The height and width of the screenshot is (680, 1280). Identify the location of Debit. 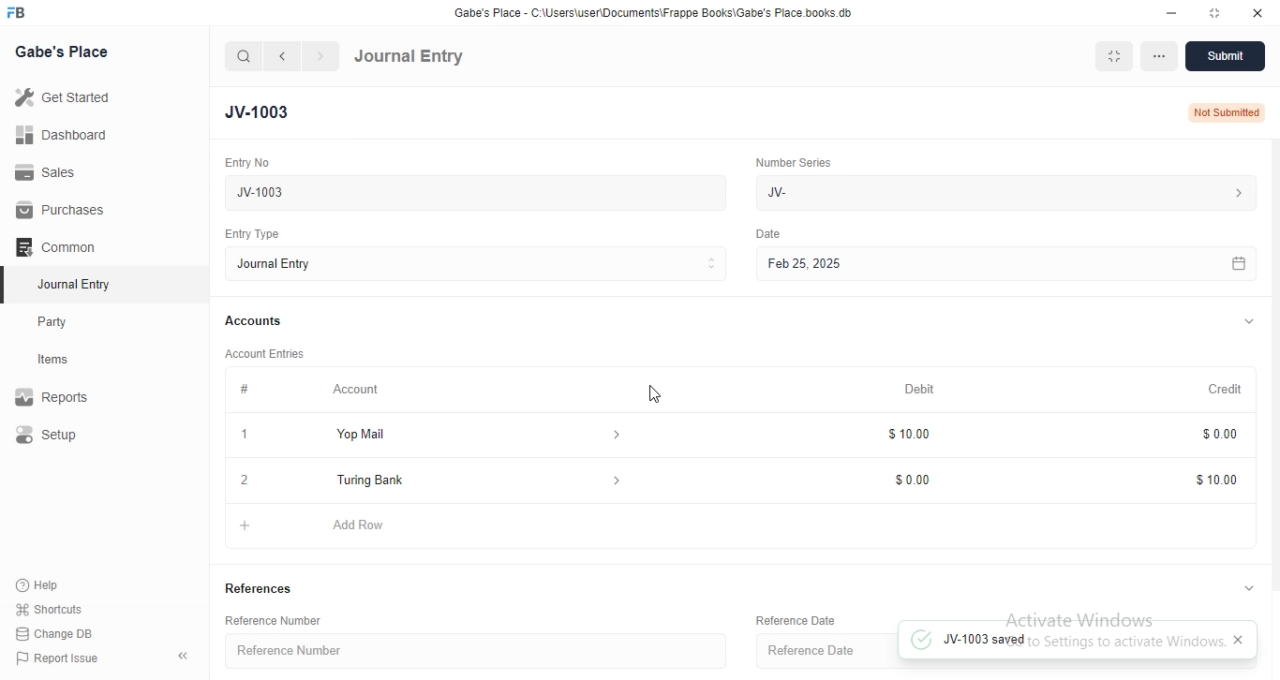
(919, 388).